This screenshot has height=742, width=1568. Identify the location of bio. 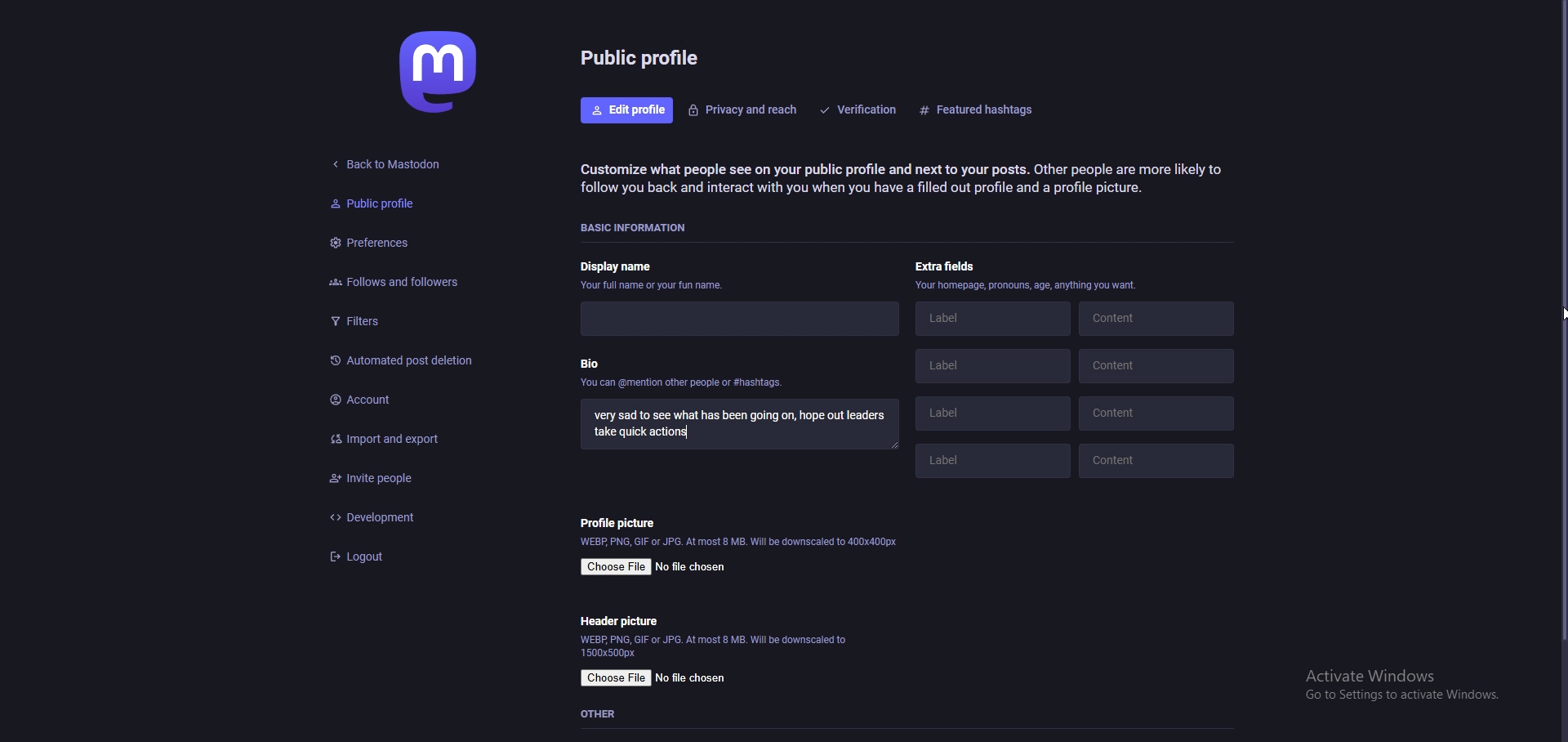
(735, 423).